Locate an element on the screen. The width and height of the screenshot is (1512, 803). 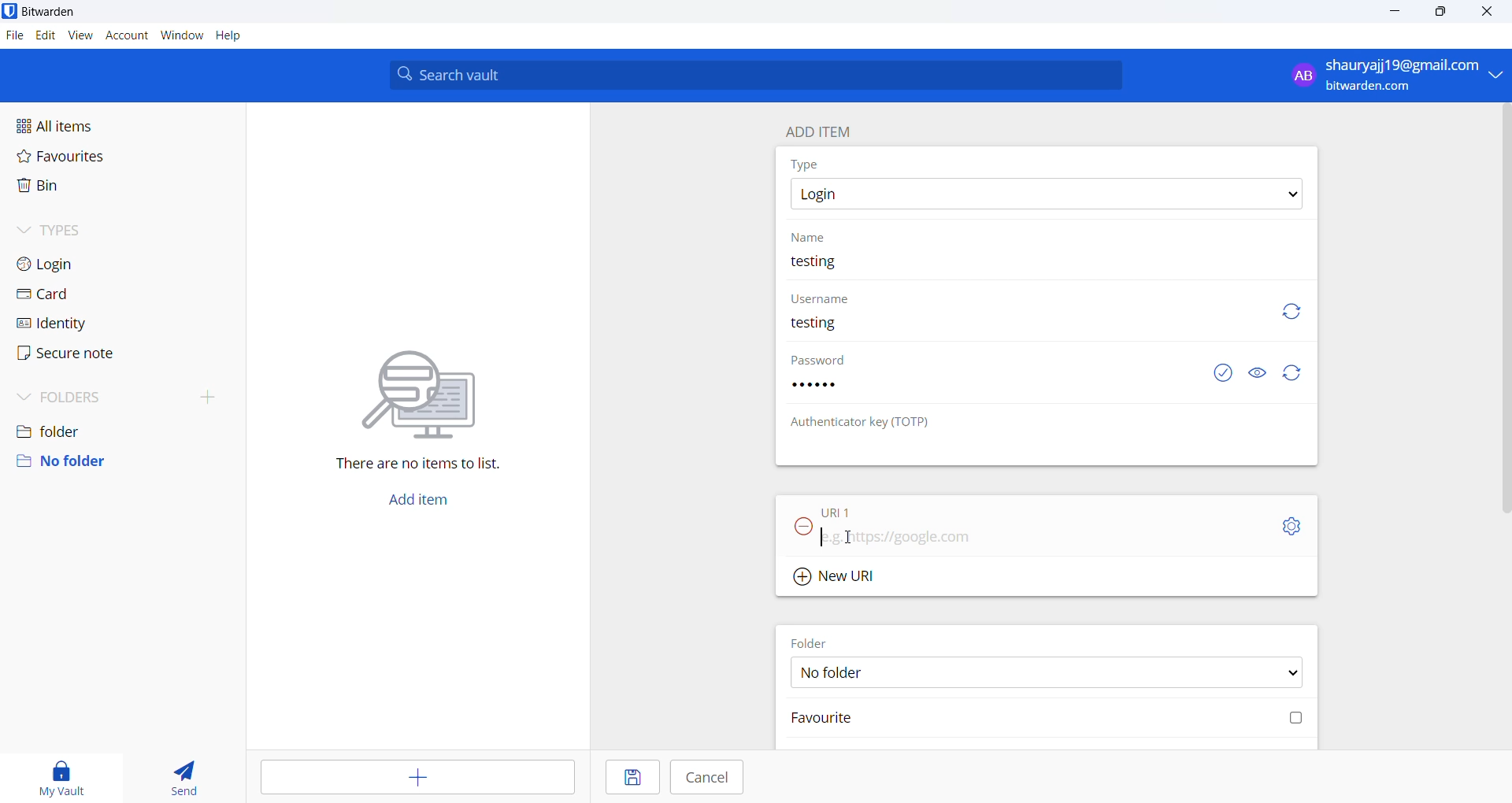
add entry is located at coordinates (414, 775).